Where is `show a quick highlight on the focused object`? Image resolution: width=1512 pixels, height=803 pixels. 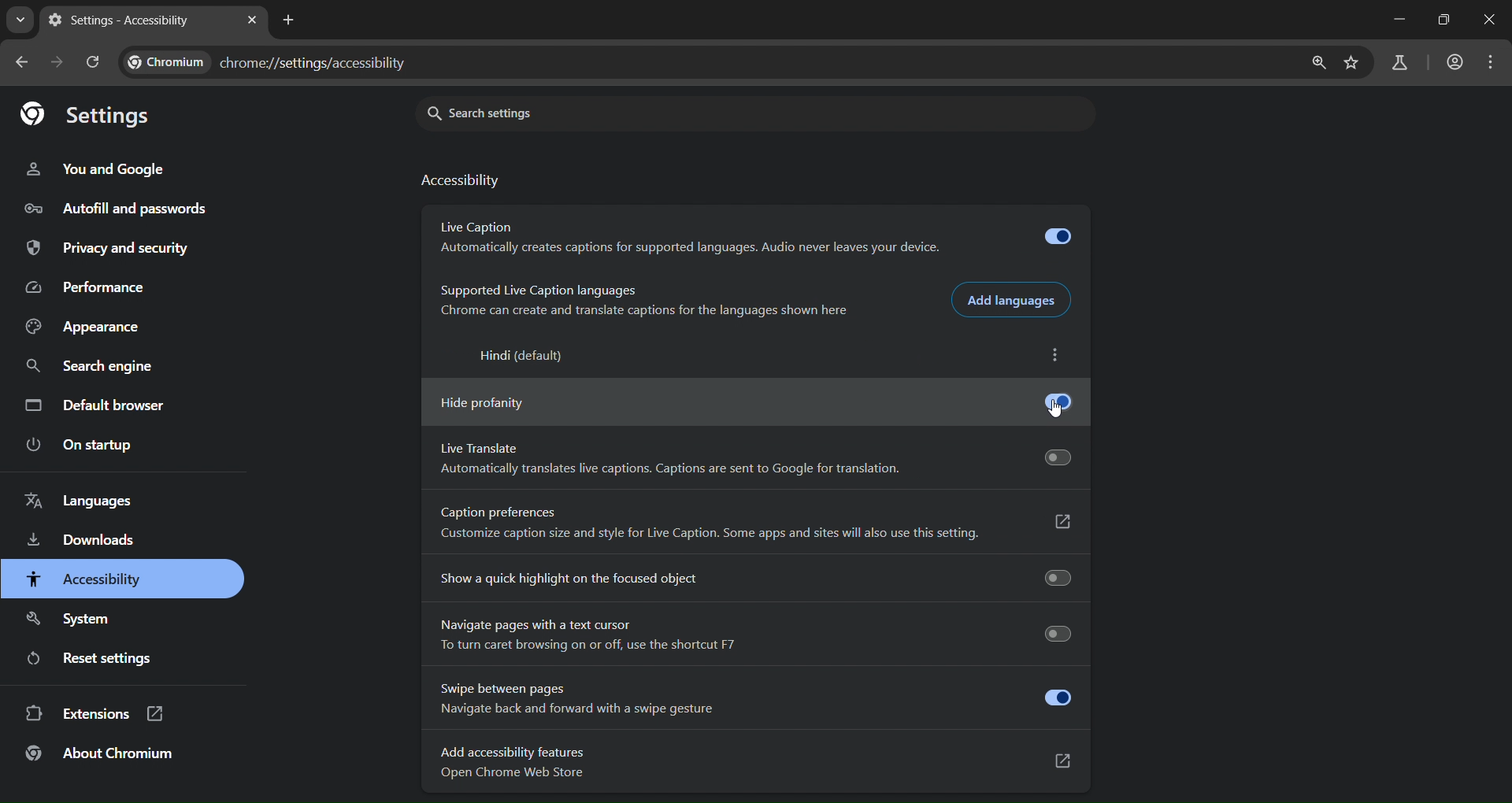 show a quick highlight on the focused object is located at coordinates (753, 575).